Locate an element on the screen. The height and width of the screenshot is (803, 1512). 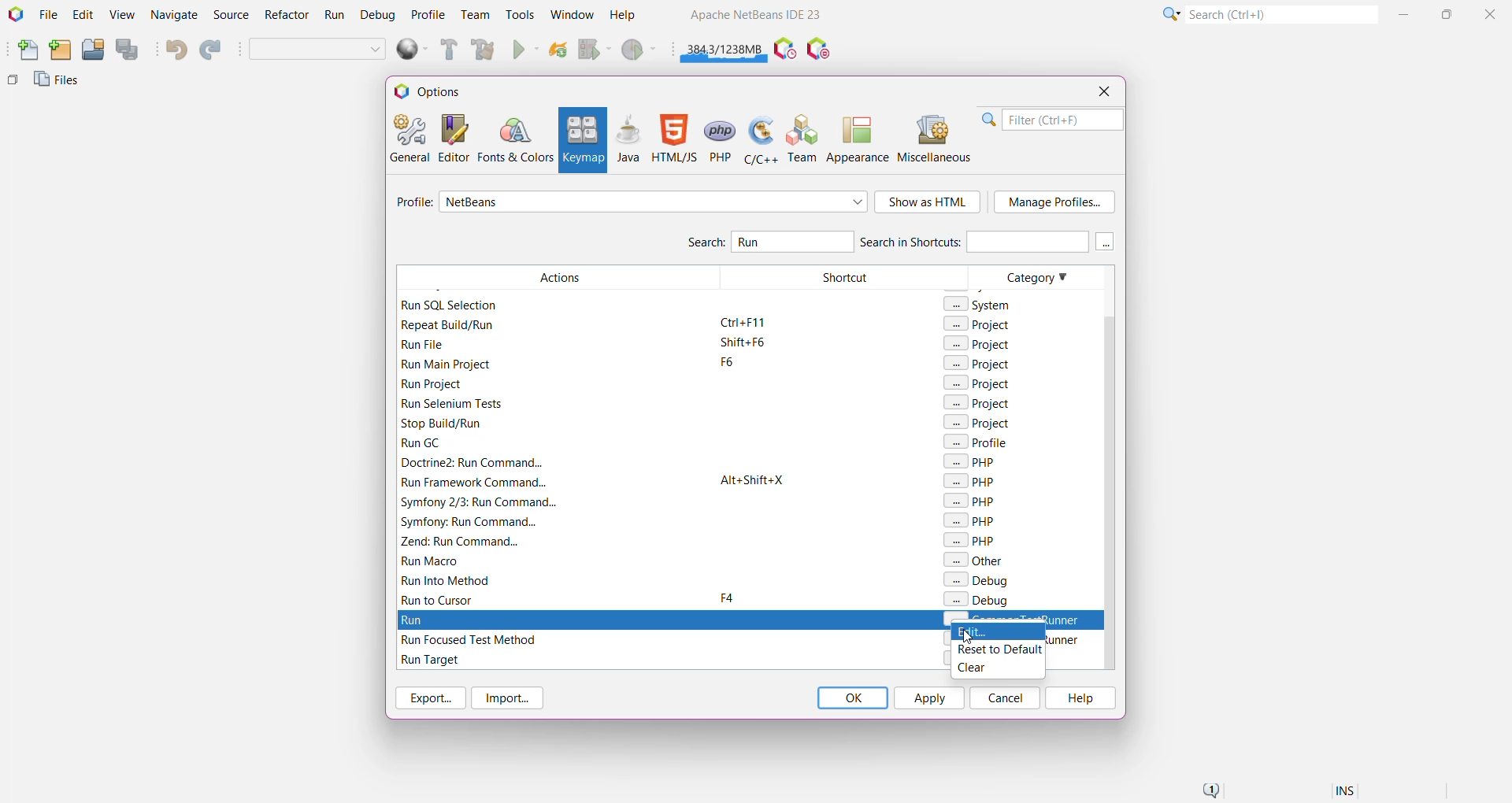
File is located at coordinates (48, 15).